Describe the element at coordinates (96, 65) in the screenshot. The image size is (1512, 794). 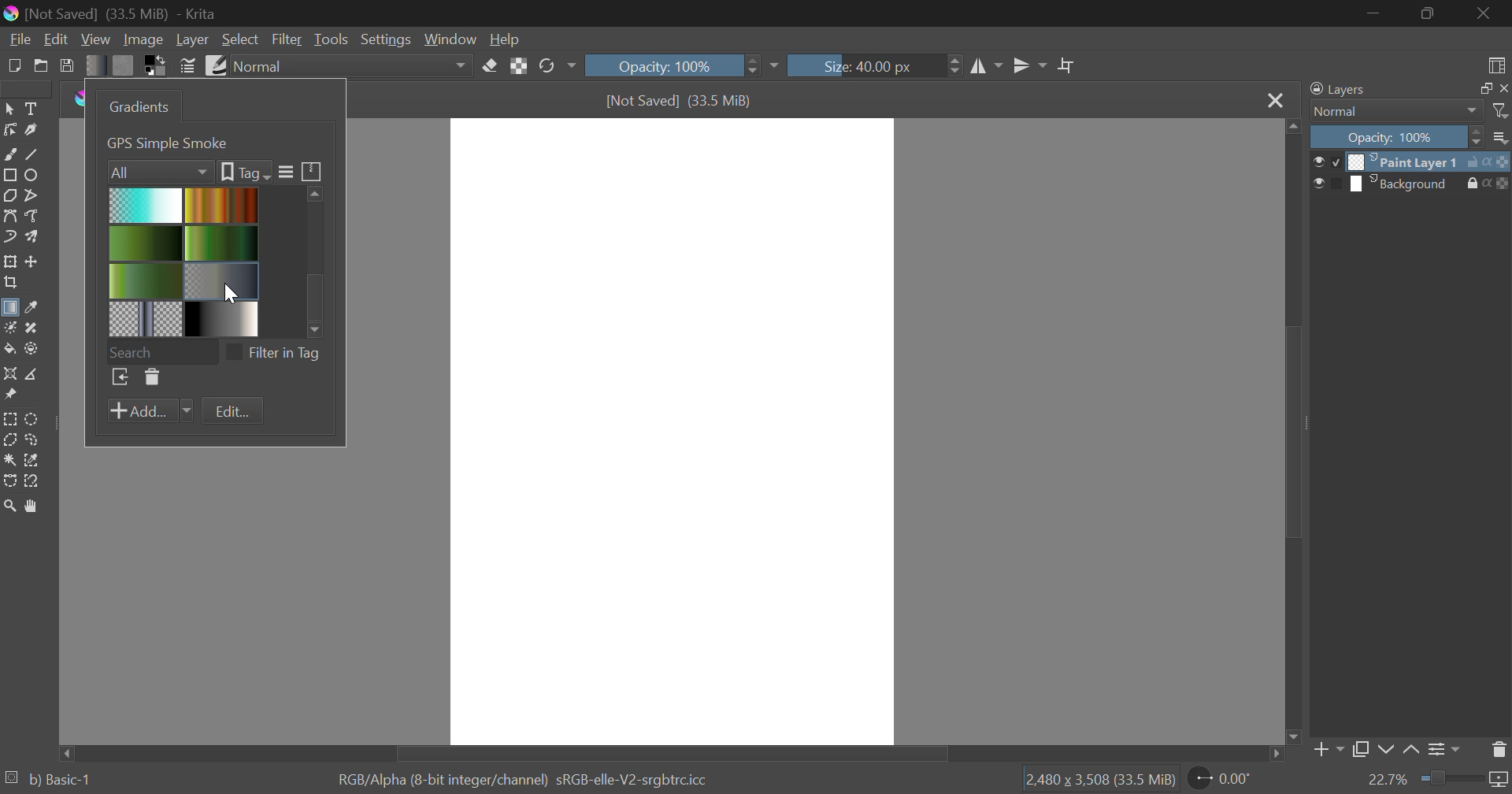
I see `Gradient` at that location.